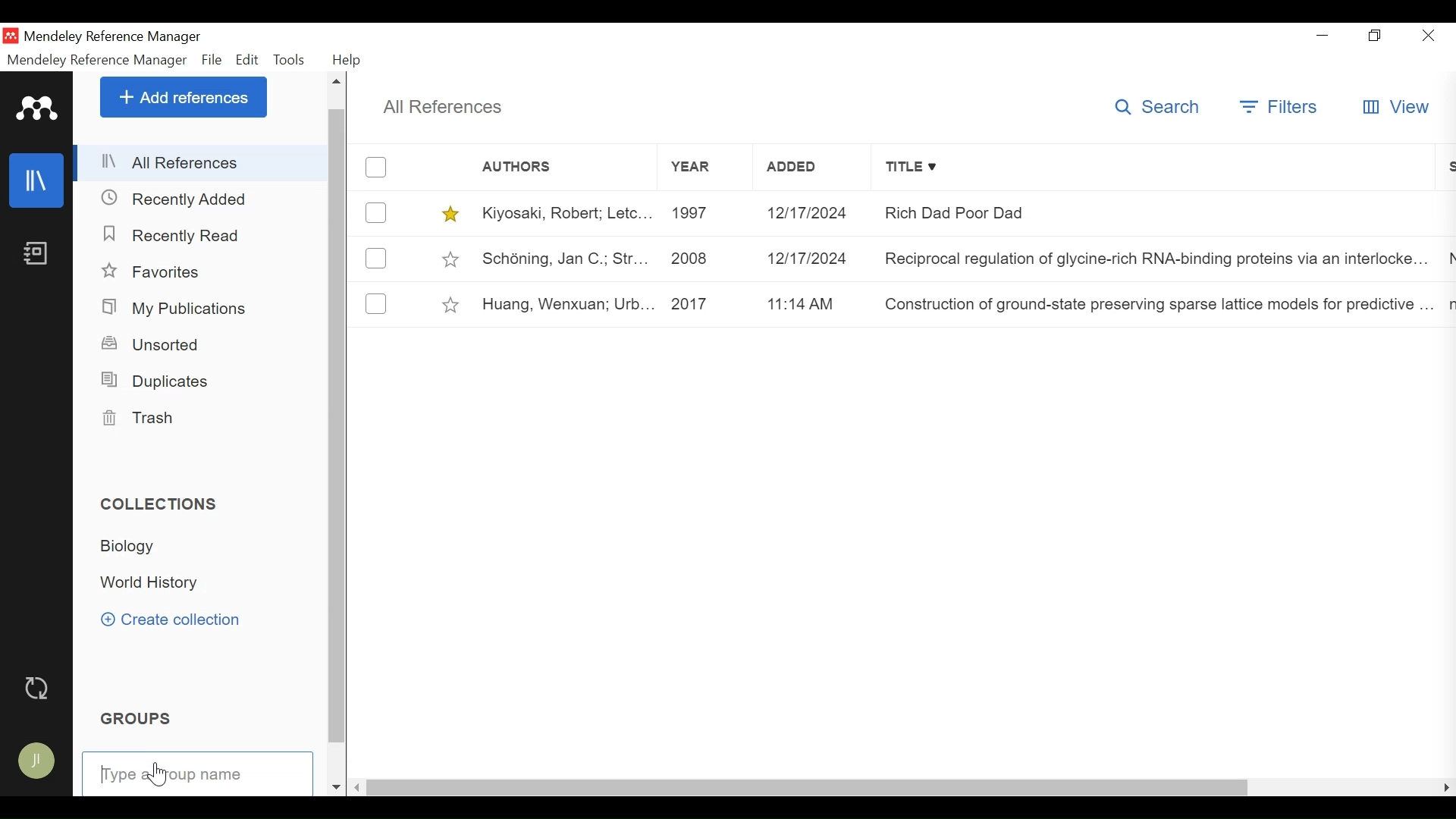  What do you see at coordinates (811, 788) in the screenshot?
I see `Horizontal Scroll bar` at bounding box center [811, 788].